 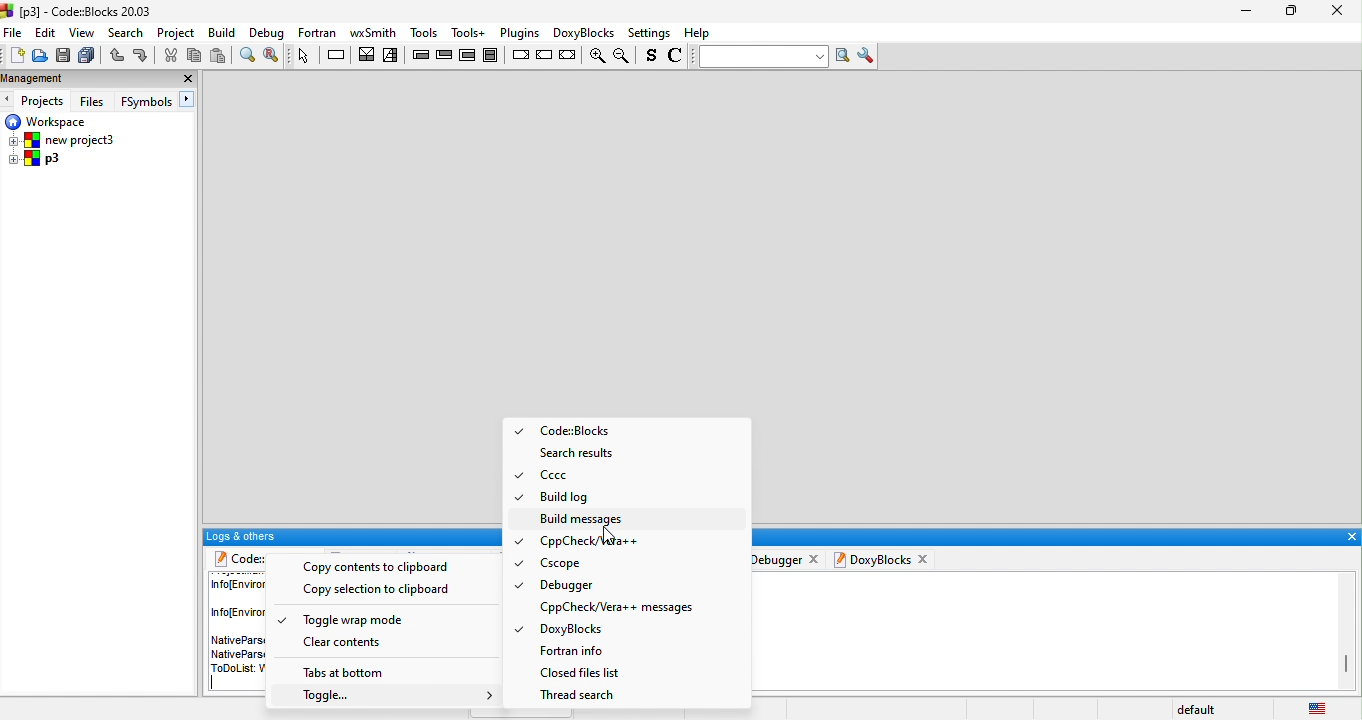 I want to click on redo, so click(x=143, y=56).